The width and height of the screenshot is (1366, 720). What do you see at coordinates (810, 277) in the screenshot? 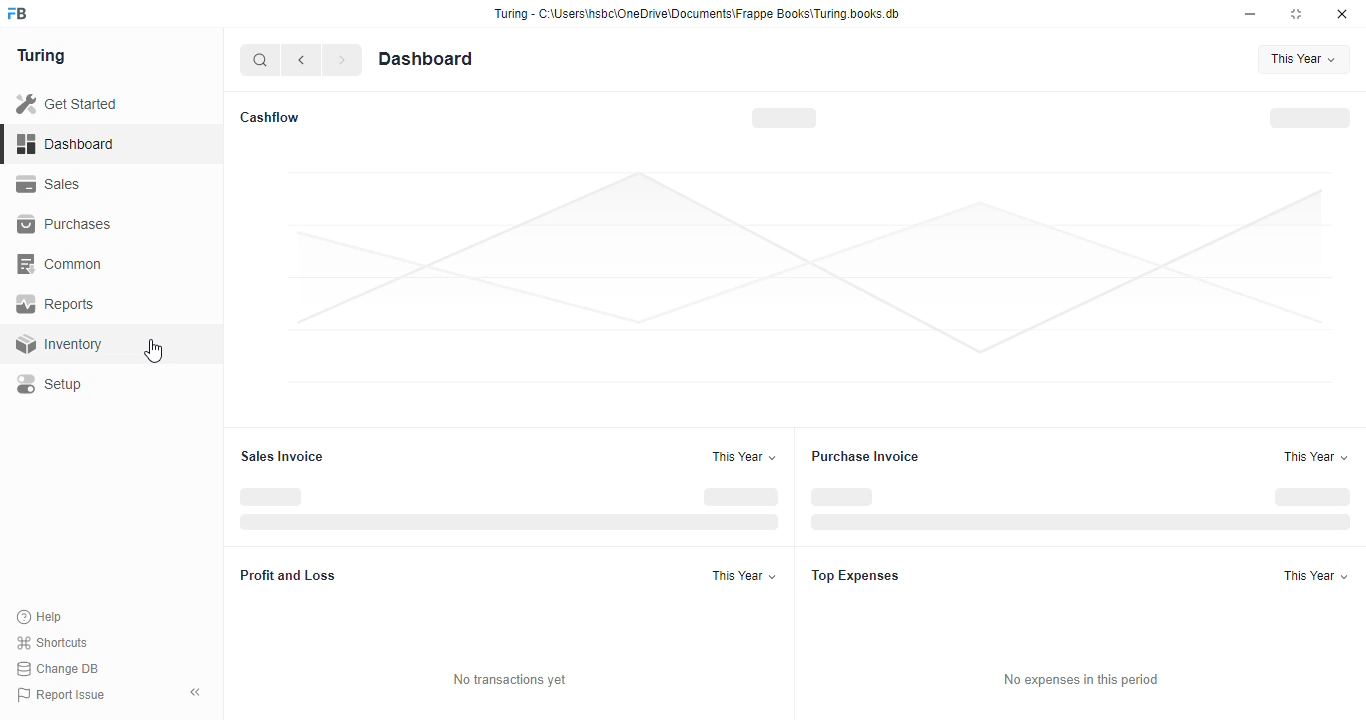
I see `graph` at bounding box center [810, 277].